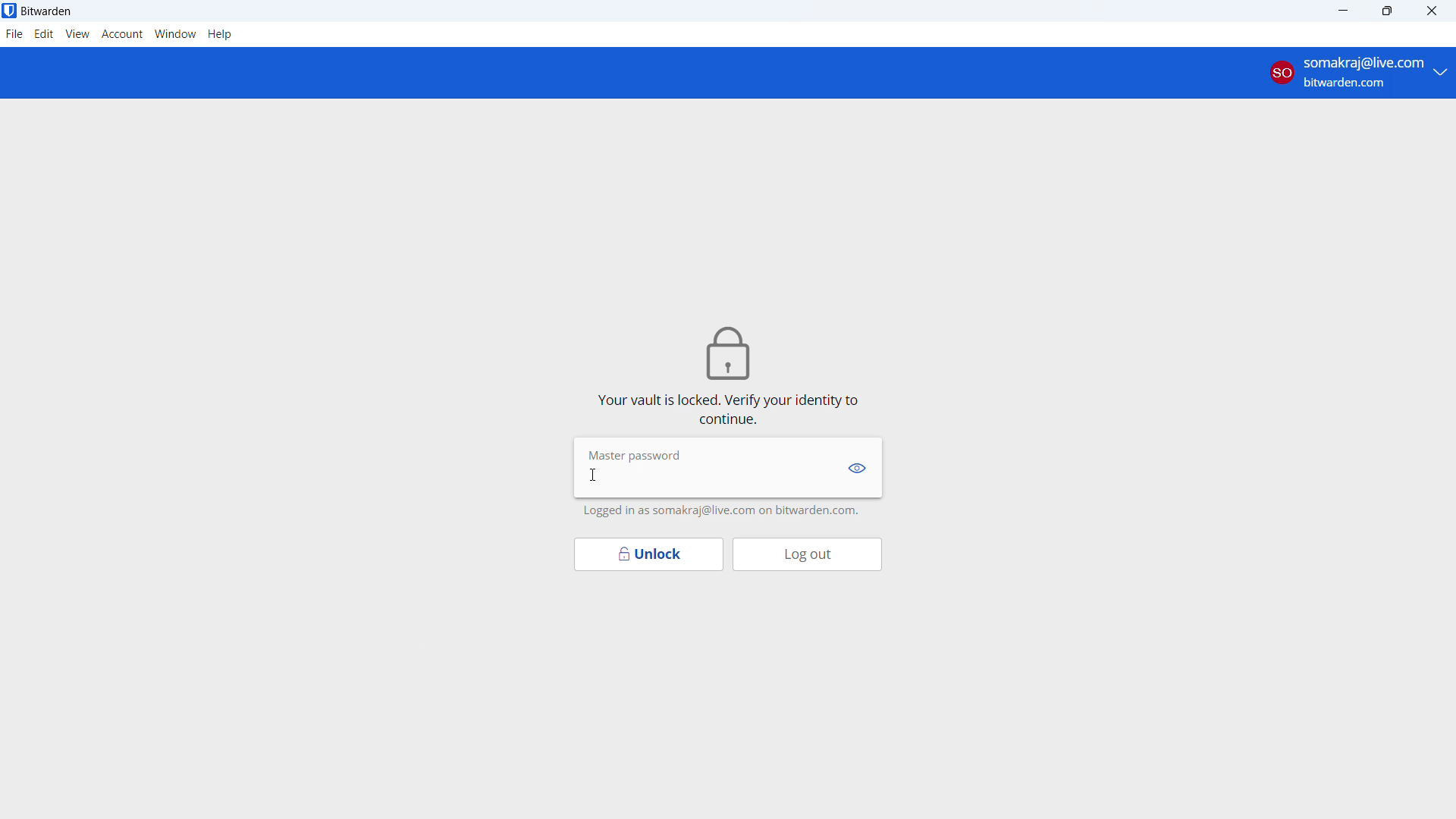  What do you see at coordinates (648, 555) in the screenshot?
I see `unlock` at bounding box center [648, 555].